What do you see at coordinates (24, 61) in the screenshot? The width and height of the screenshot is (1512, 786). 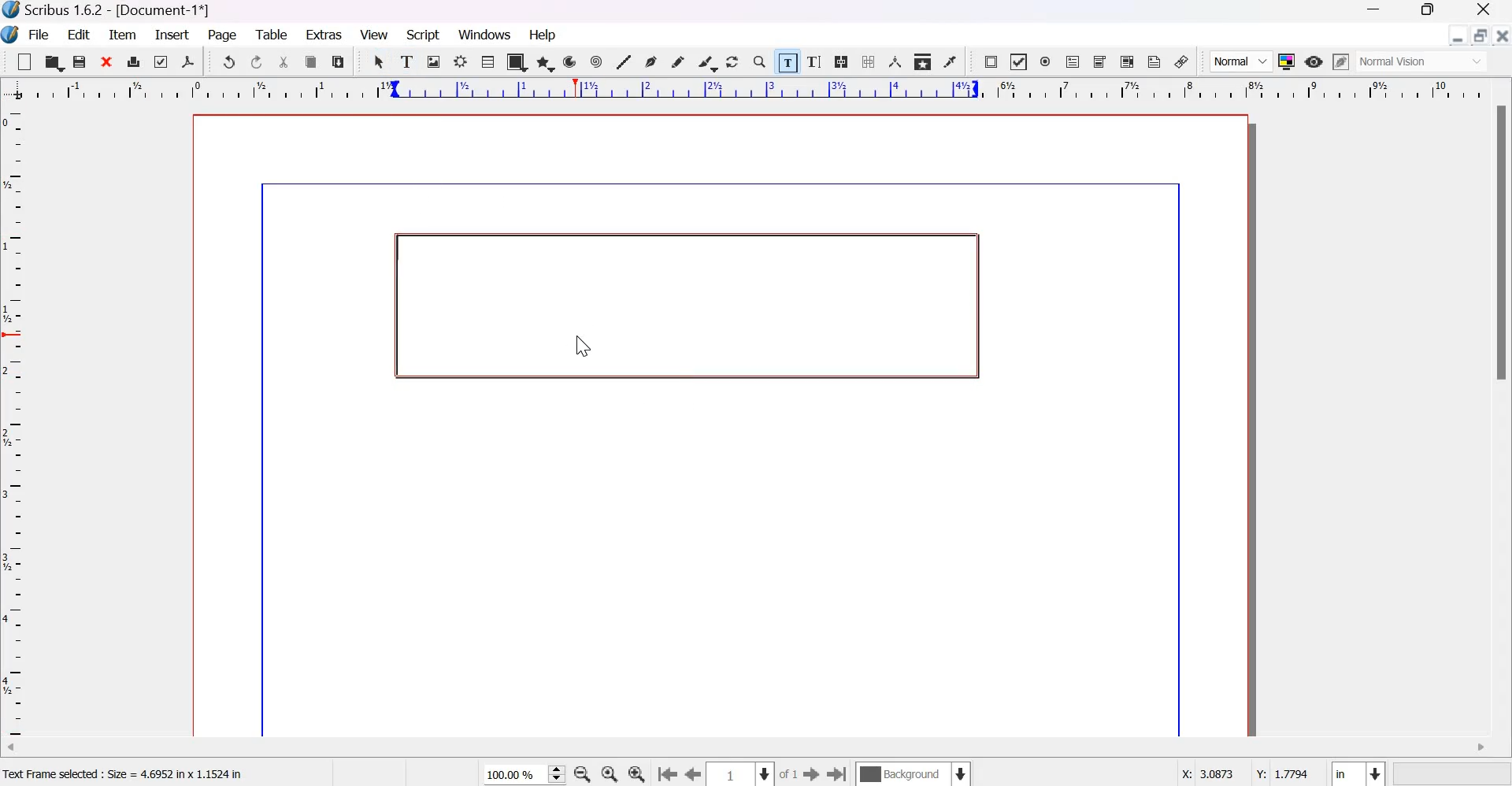 I see `new` at bounding box center [24, 61].